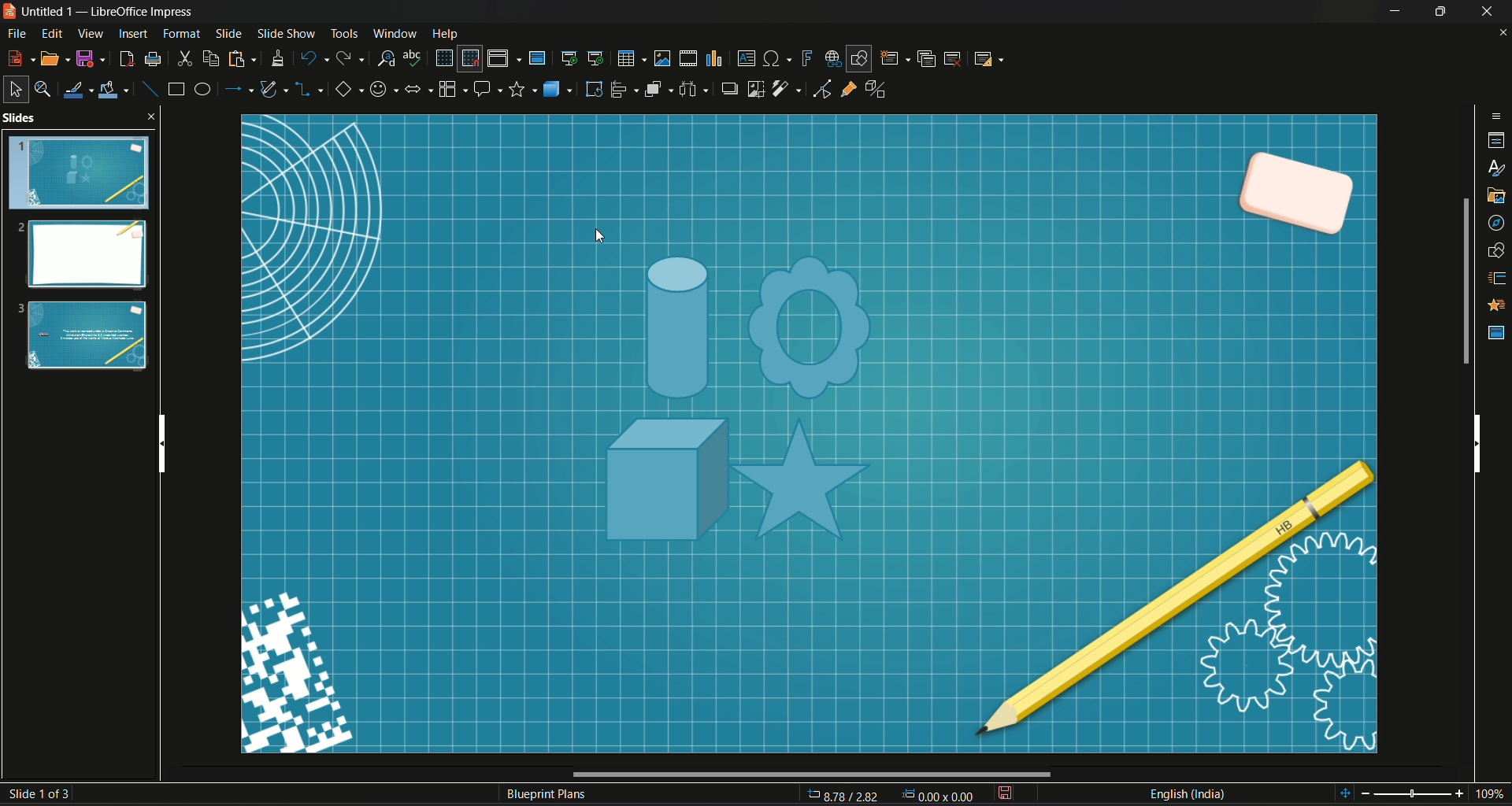  Describe the element at coordinates (149, 89) in the screenshot. I see `insert line` at that location.